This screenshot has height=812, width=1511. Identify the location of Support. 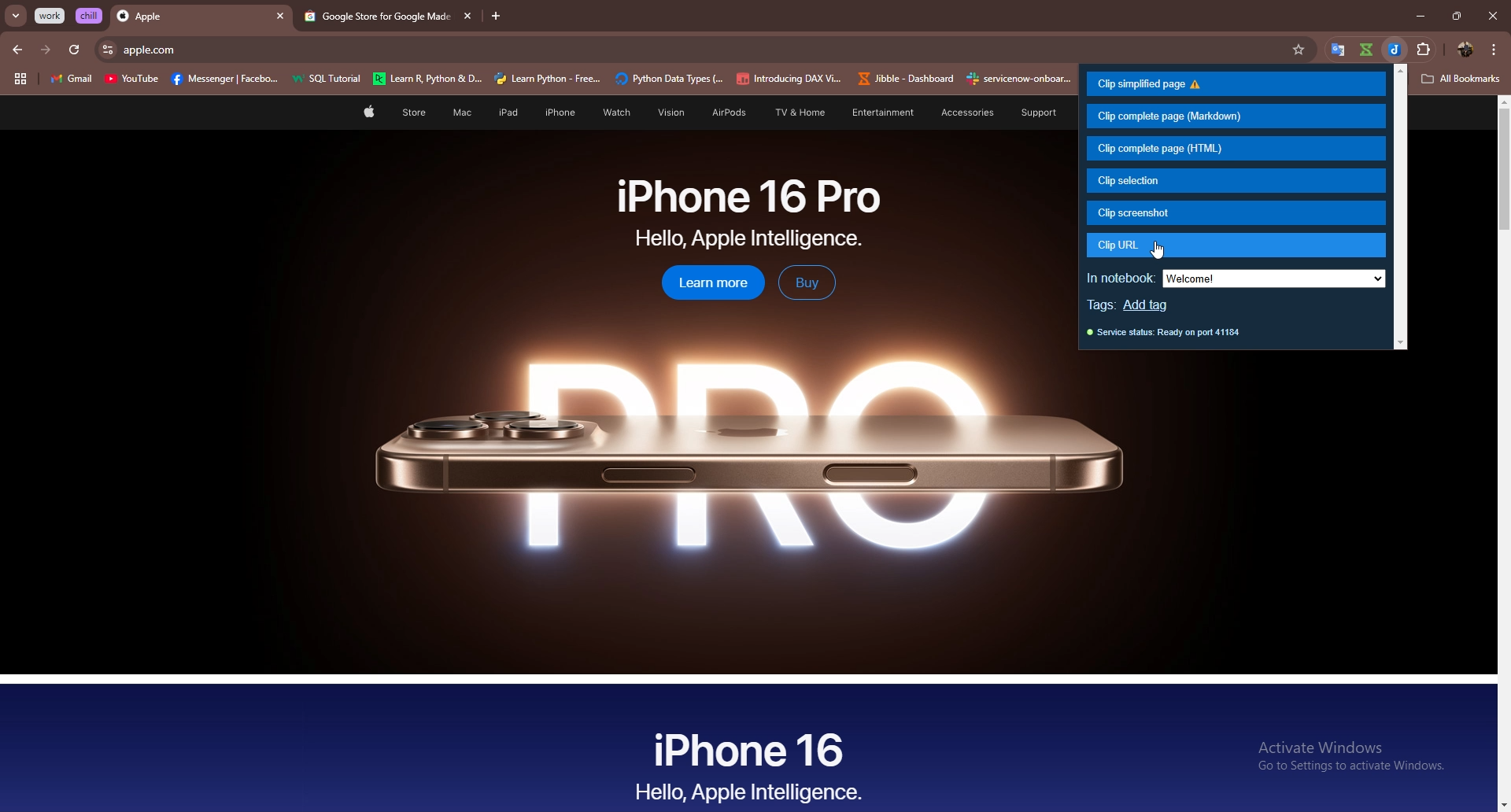
(1032, 113).